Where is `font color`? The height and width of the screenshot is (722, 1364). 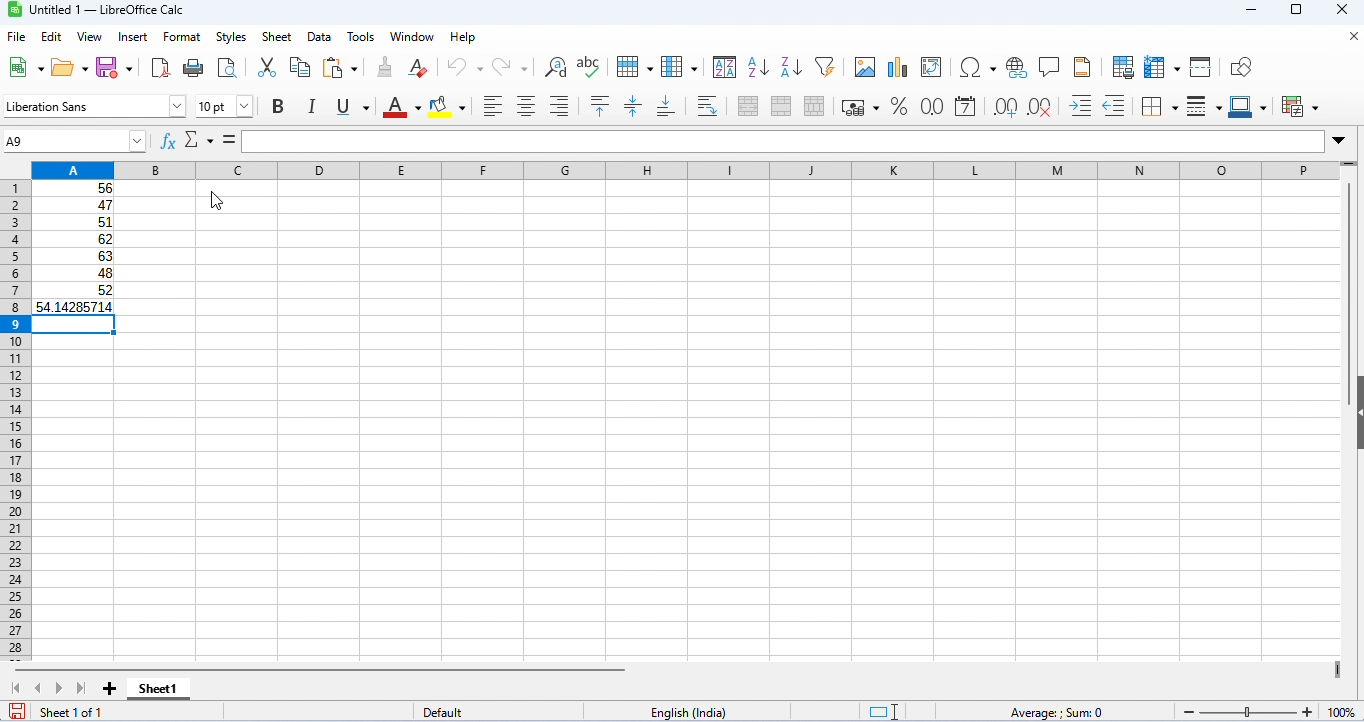 font color is located at coordinates (398, 106).